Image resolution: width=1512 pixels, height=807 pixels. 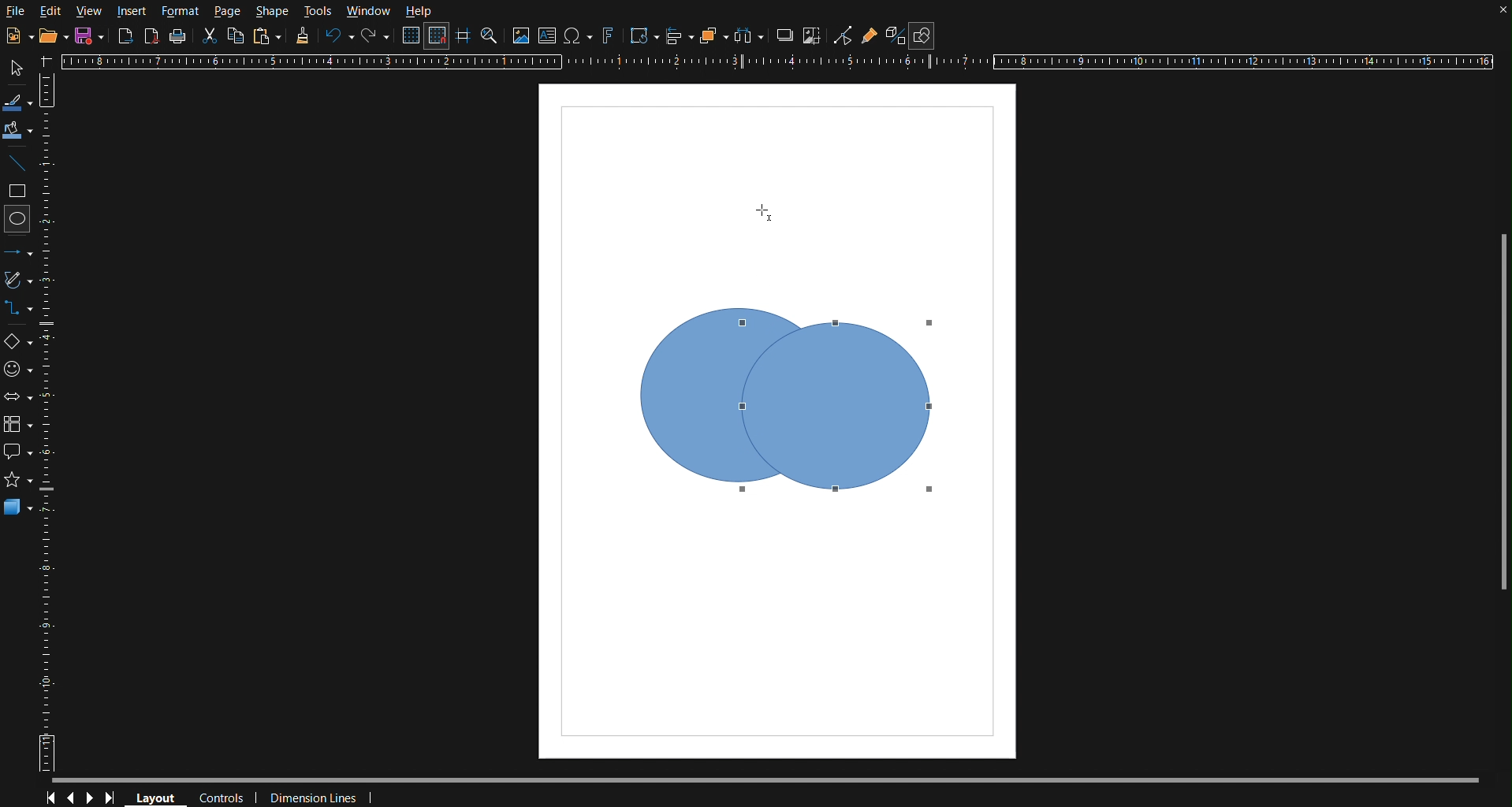 What do you see at coordinates (19, 222) in the screenshot?
I see `Circle` at bounding box center [19, 222].